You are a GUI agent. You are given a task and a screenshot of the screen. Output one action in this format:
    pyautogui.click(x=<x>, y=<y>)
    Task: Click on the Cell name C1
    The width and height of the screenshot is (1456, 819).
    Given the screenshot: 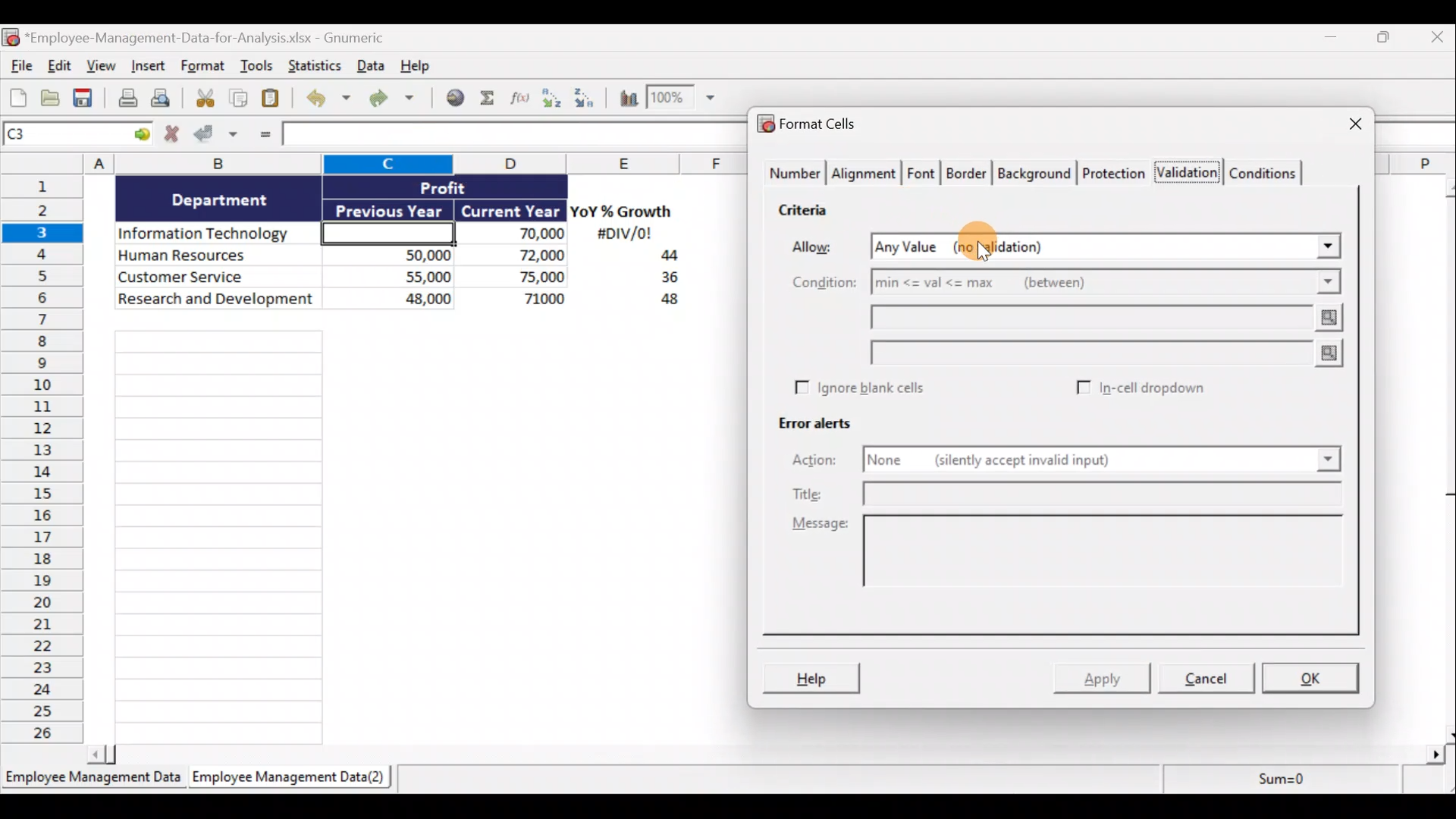 What is the action you would take?
    pyautogui.click(x=64, y=136)
    